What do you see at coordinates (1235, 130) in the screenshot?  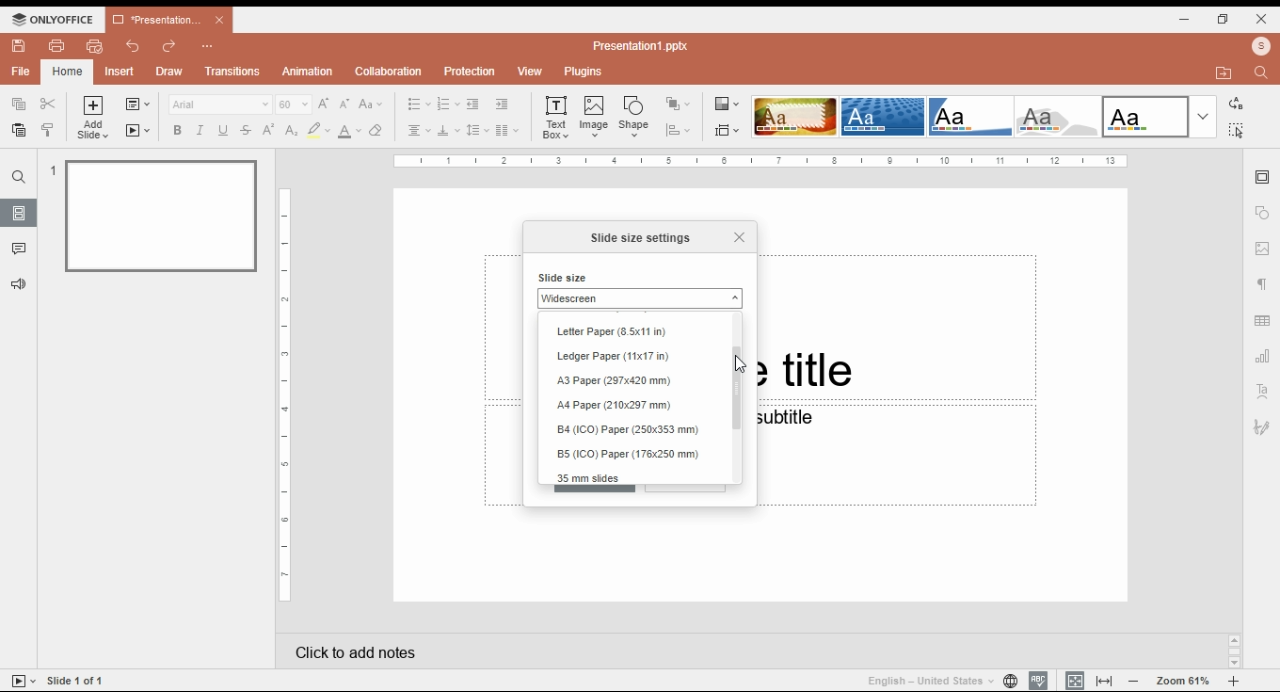 I see `find` at bounding box center [1235, 130].